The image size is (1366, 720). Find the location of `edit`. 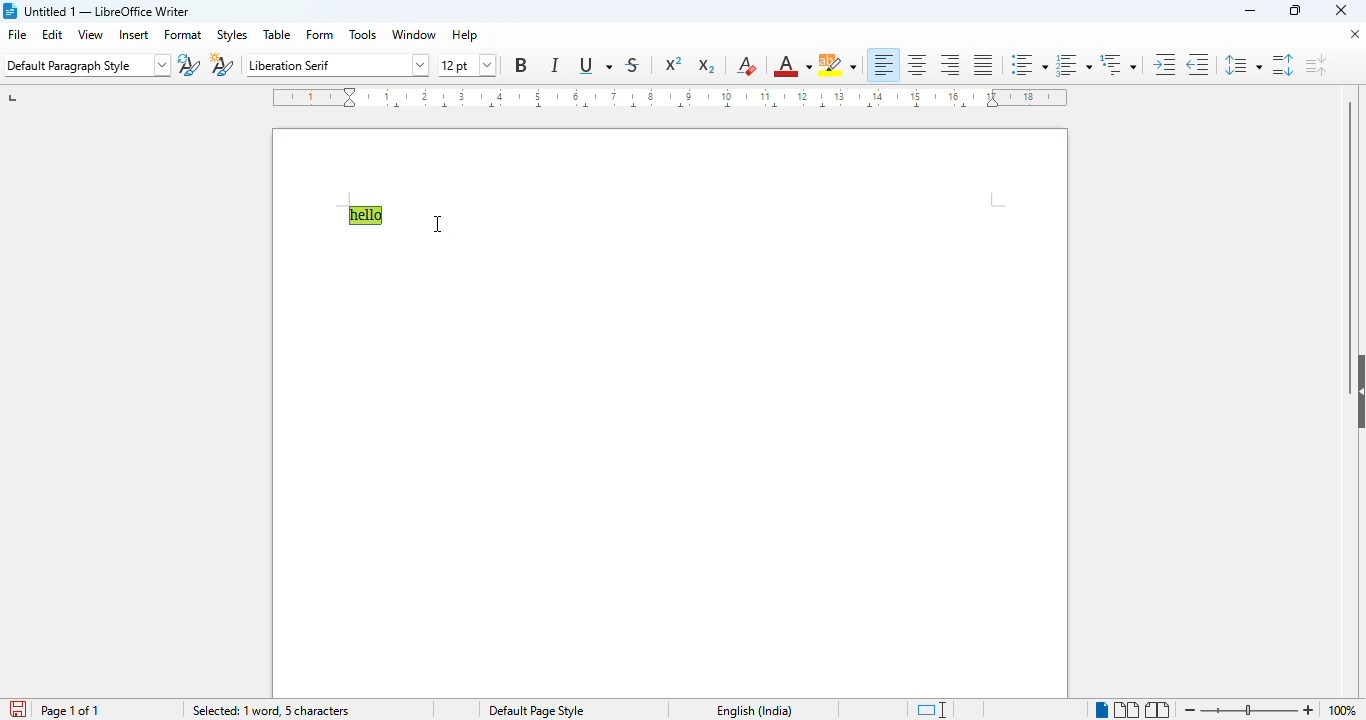

edit is located at coordinates (53, 34).